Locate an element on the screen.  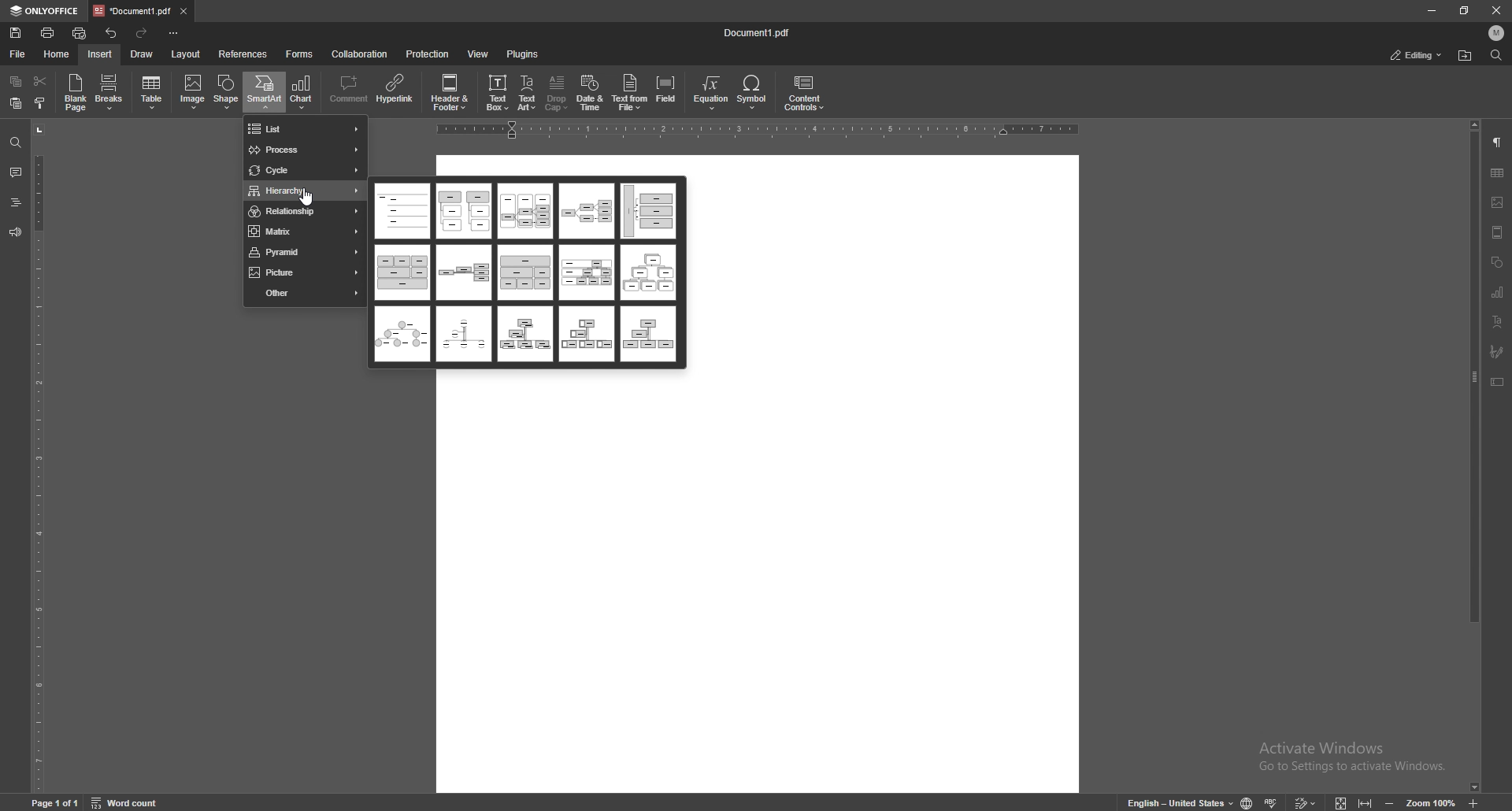
cursor is located at coordinates (309, 198).